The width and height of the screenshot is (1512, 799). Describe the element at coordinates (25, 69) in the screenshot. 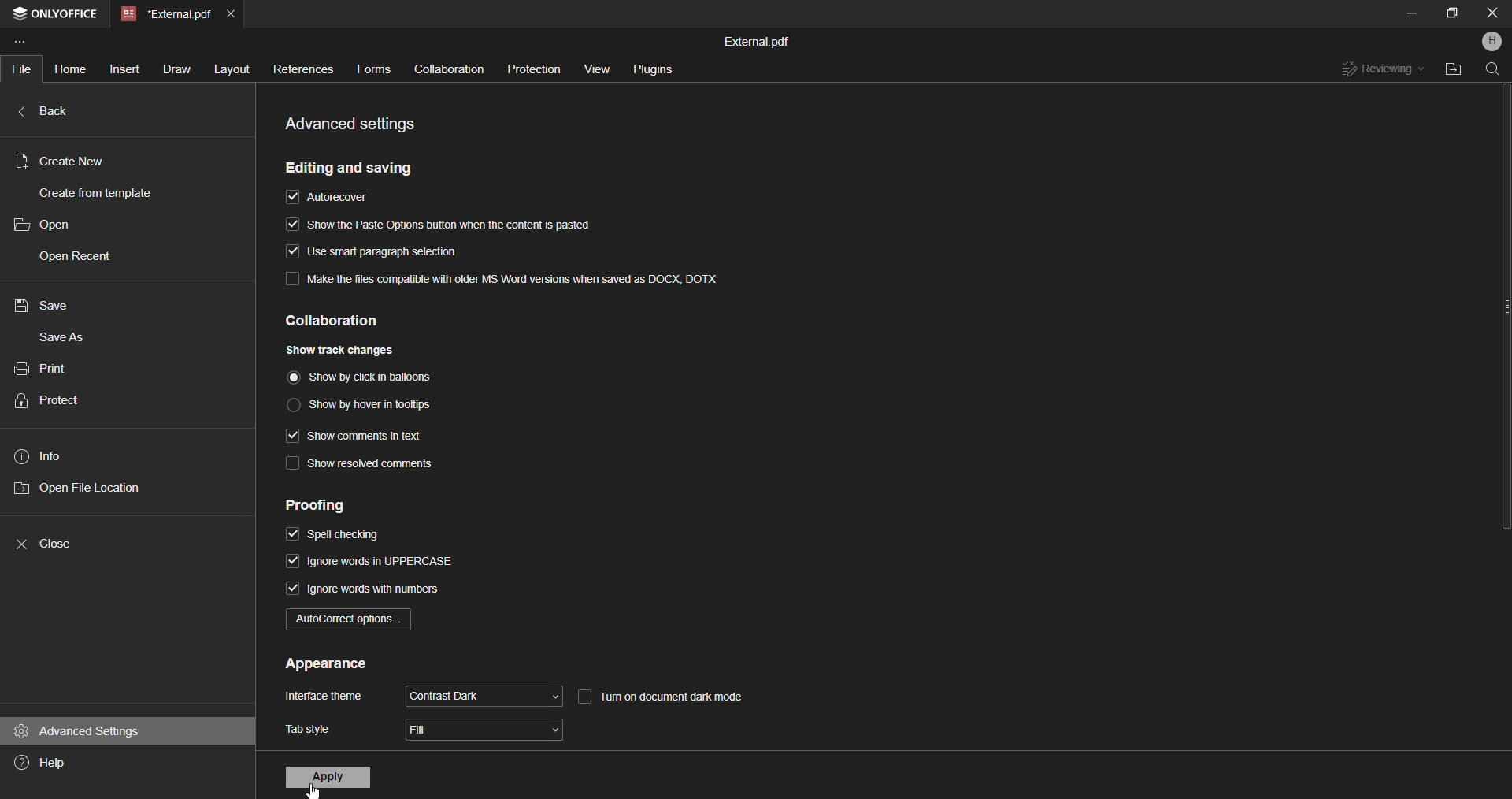

I see `File` at that location.